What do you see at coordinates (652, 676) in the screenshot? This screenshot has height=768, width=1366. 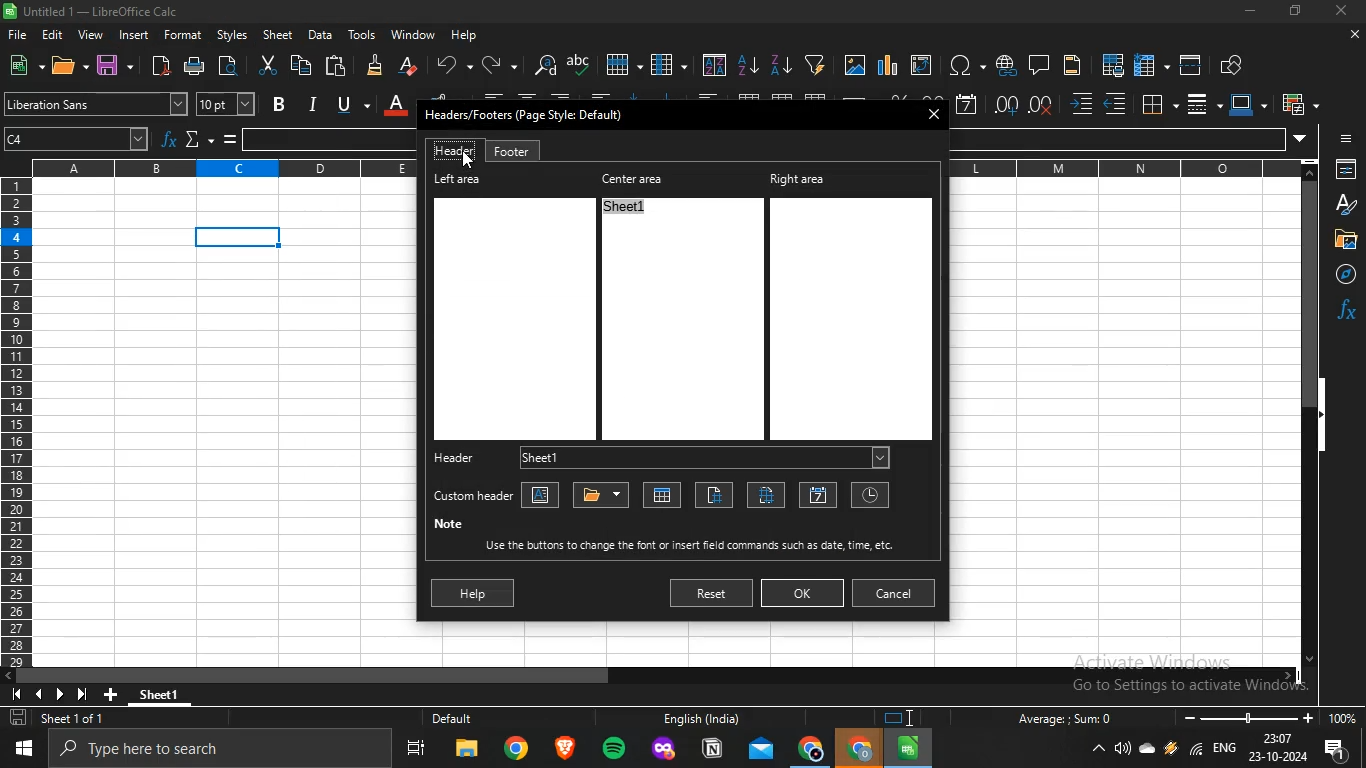 I see `scrollbar` at bounding box center [652, 676].